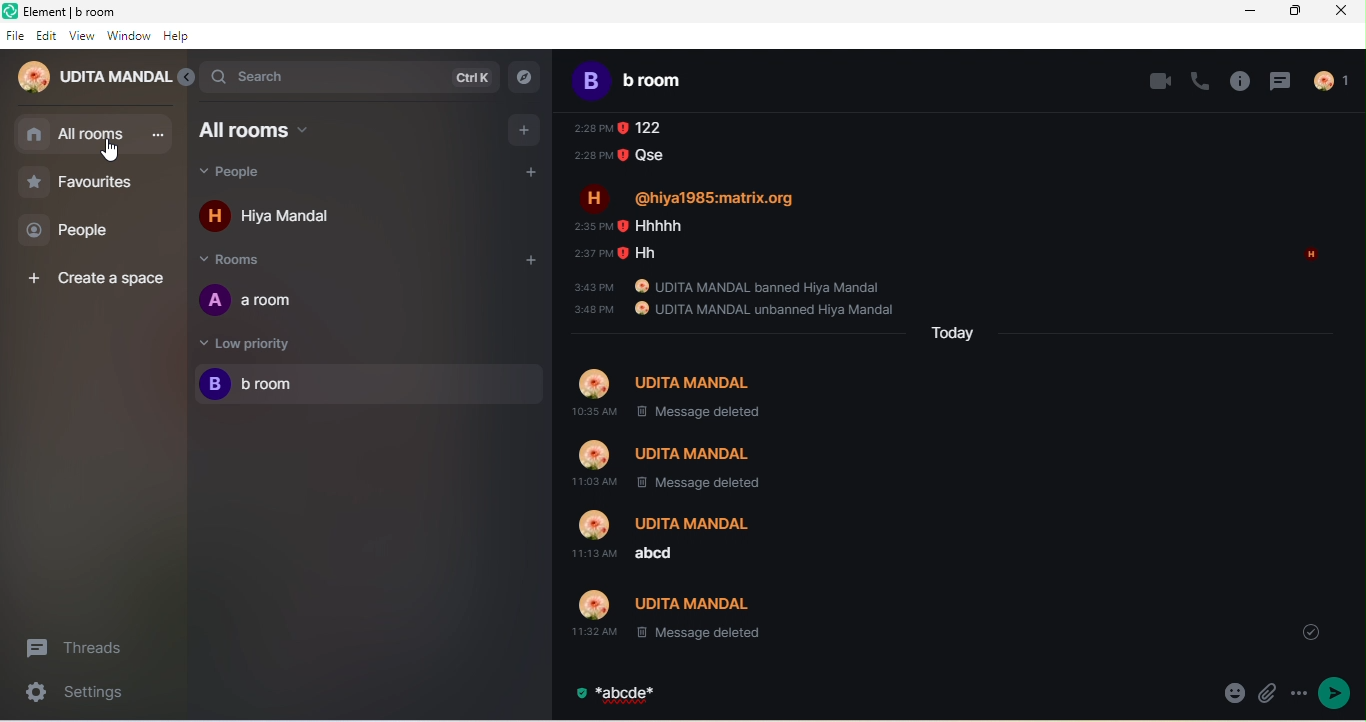  I want to click on thread, so click(1282, 81).